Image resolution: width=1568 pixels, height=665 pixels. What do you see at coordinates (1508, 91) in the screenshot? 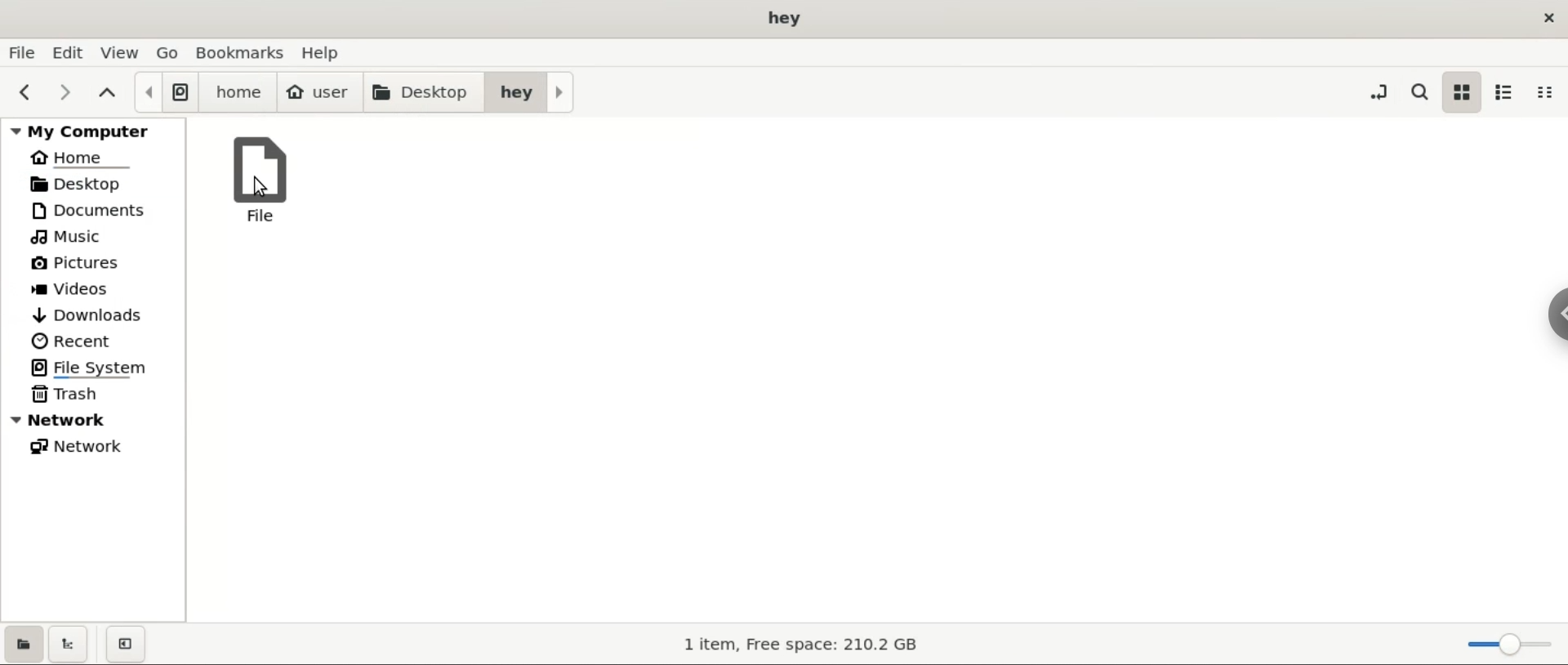
I see `list view` at bounding box center [1508, 91].